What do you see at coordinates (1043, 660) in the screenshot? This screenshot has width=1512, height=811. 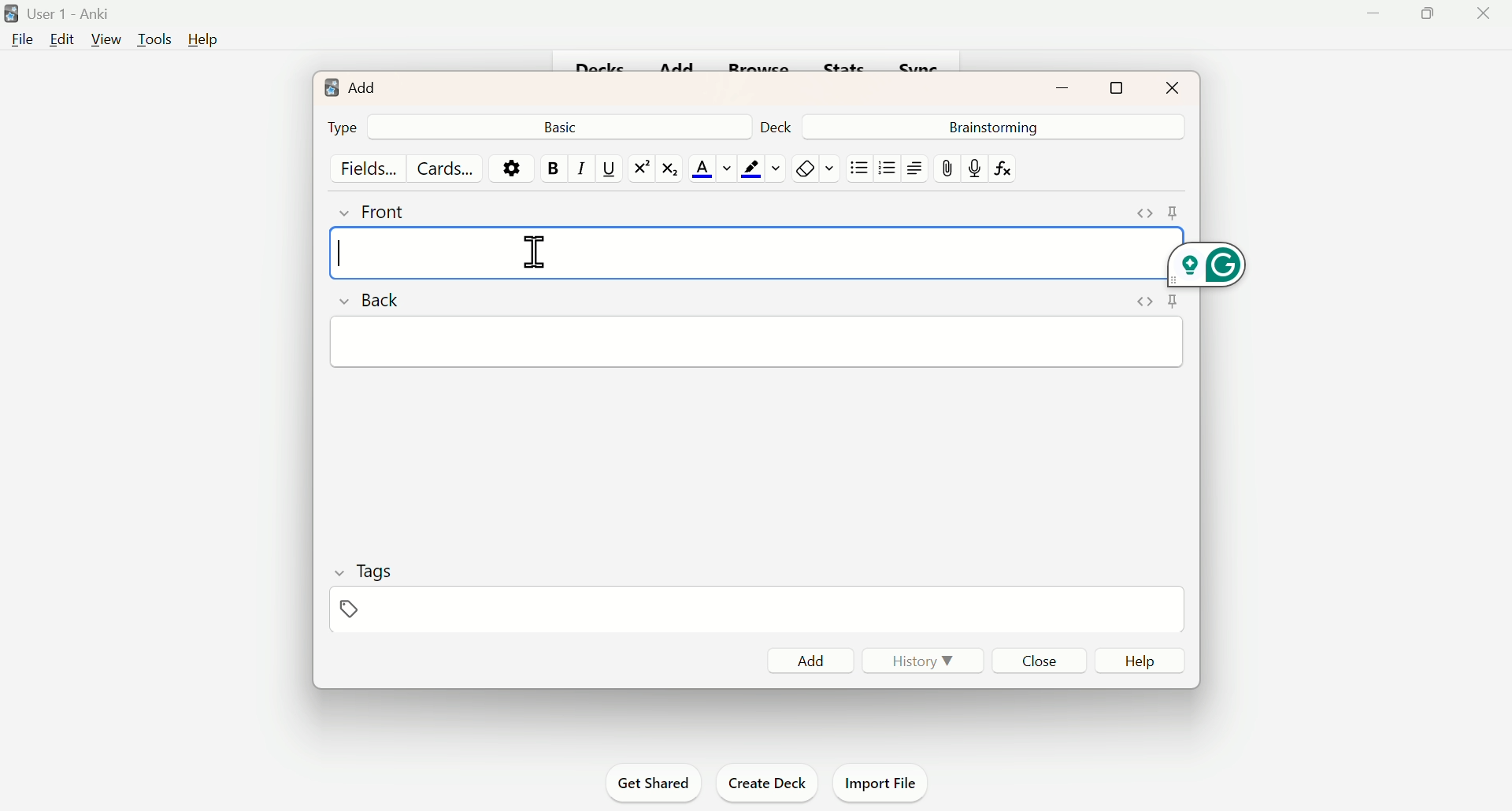 I see `Close` at bounding box center [1043, 660].